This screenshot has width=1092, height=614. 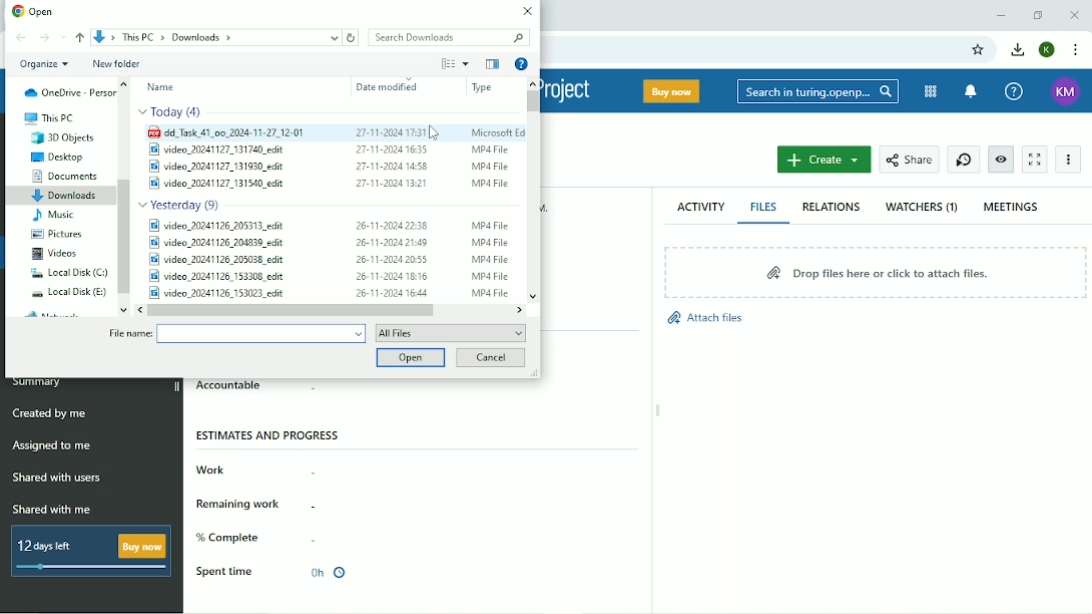 I want to click on Files, so click(x=765, y=207).